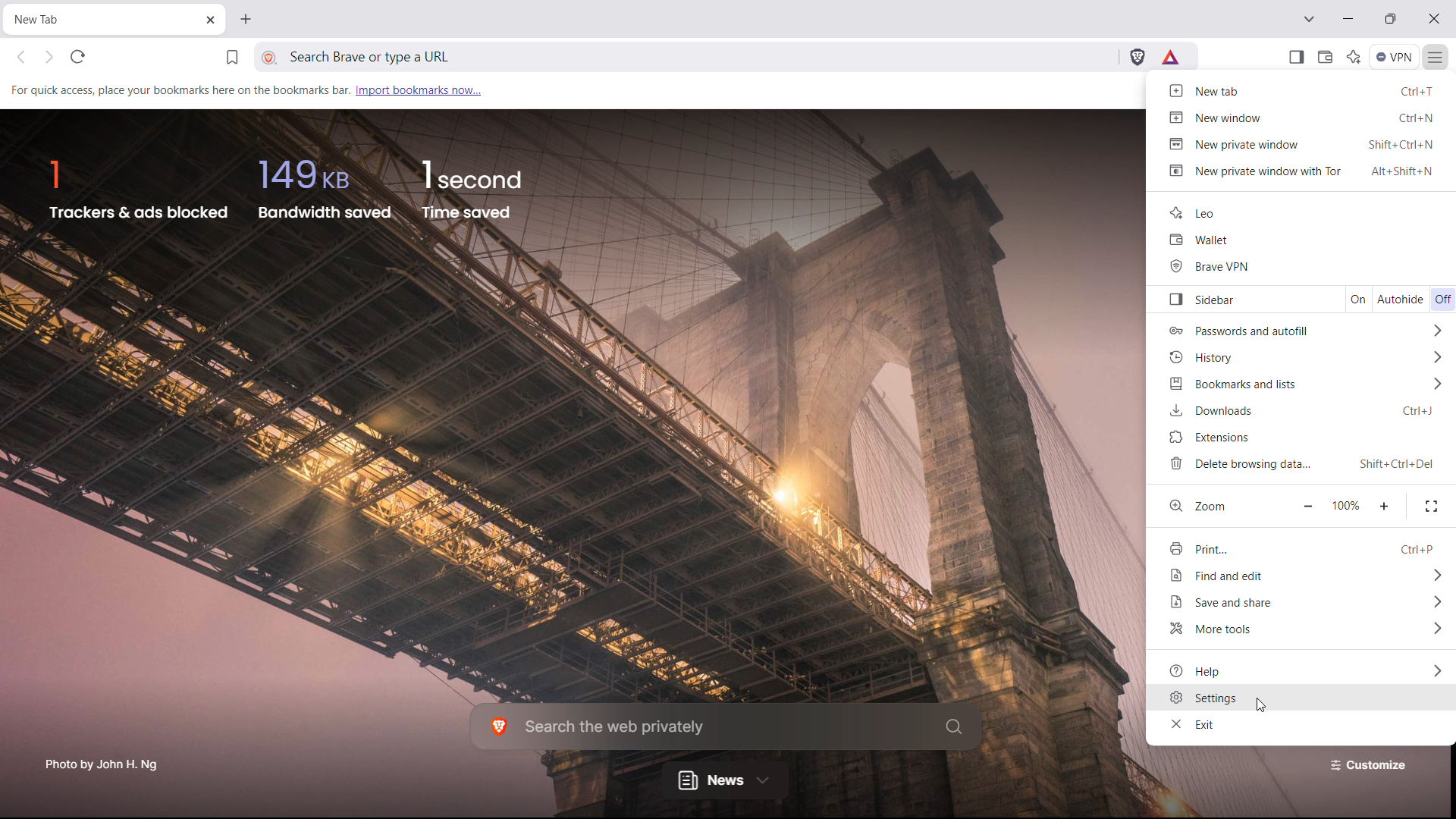 This screenshot has width=1456, height=819. What do you see at coordinates (1354, 55) in the screenshot?
I see `leo AI` at bounding box center [1354, 55].